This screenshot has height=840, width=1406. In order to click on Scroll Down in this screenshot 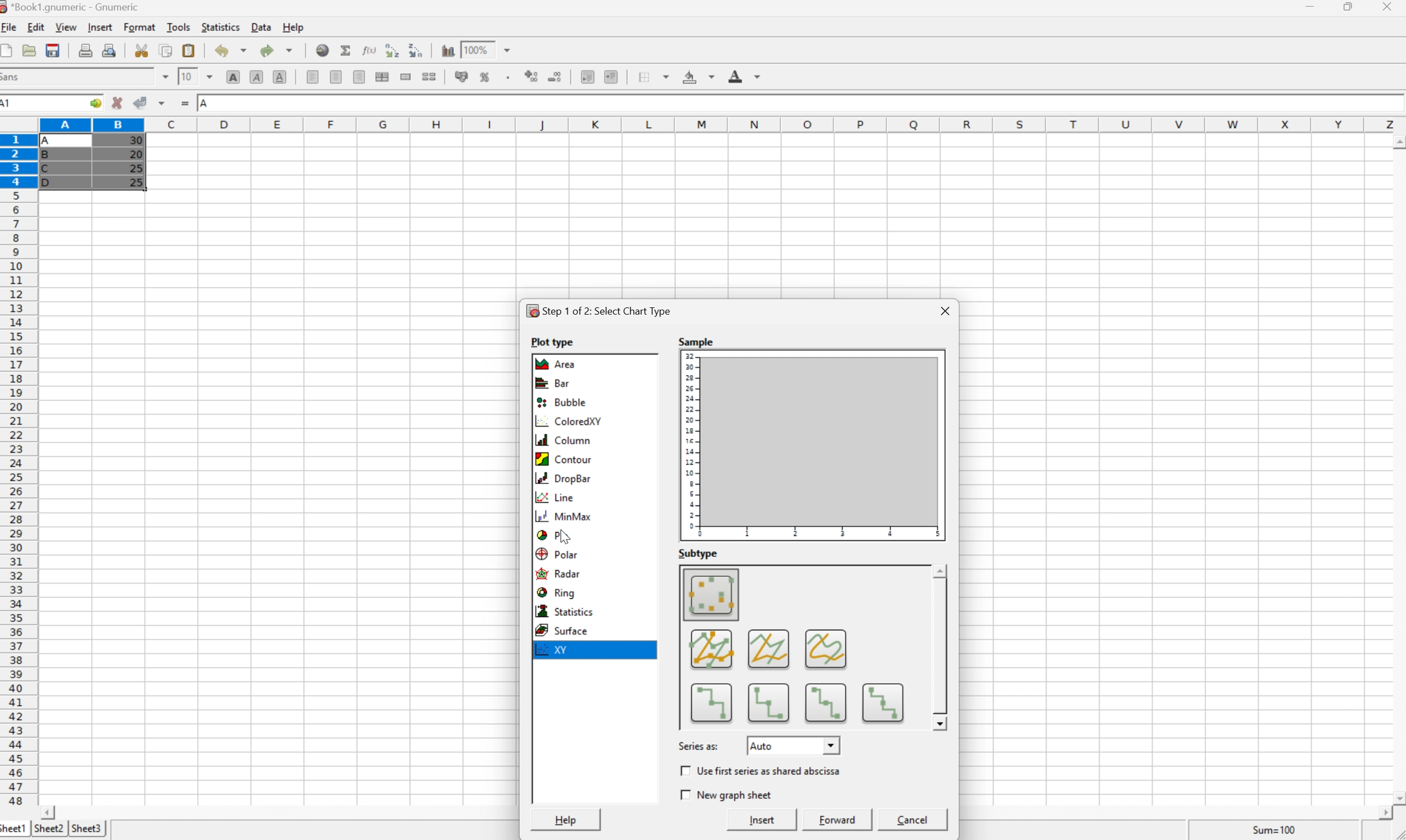, I will do `click(1397, 797)`.